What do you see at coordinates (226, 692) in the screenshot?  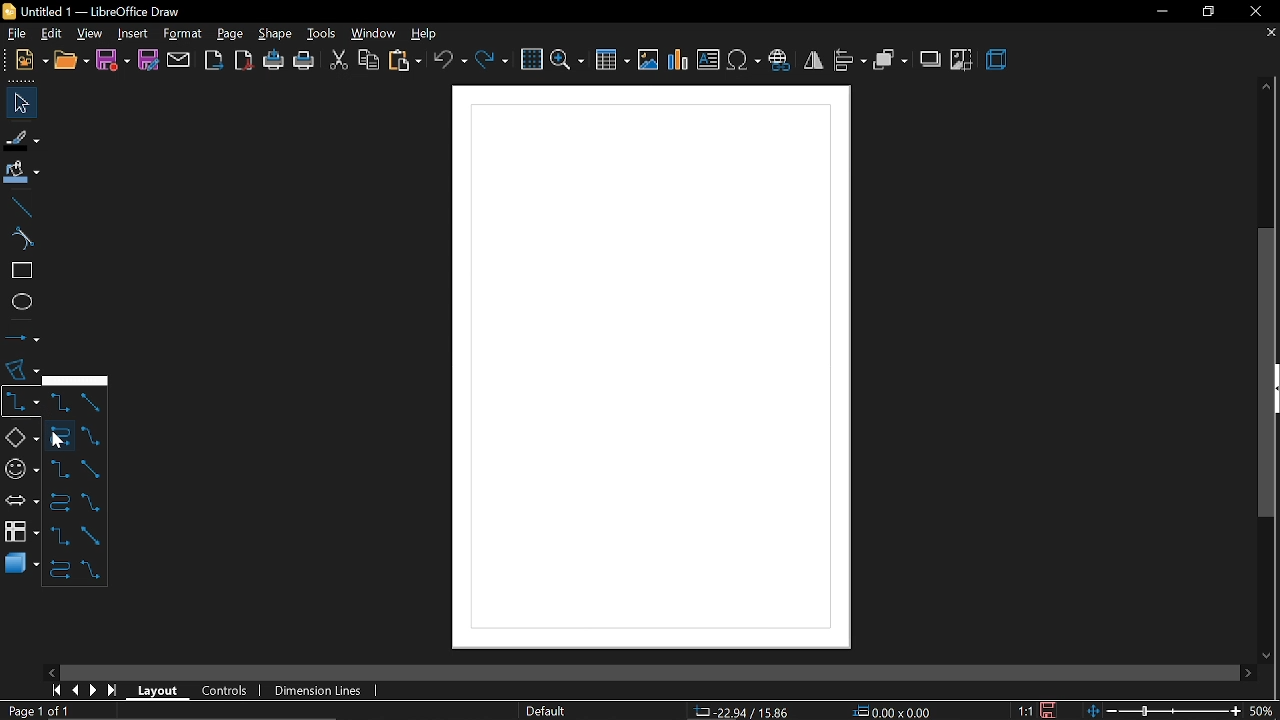 I see `controls` at bounding box center [226, 692].